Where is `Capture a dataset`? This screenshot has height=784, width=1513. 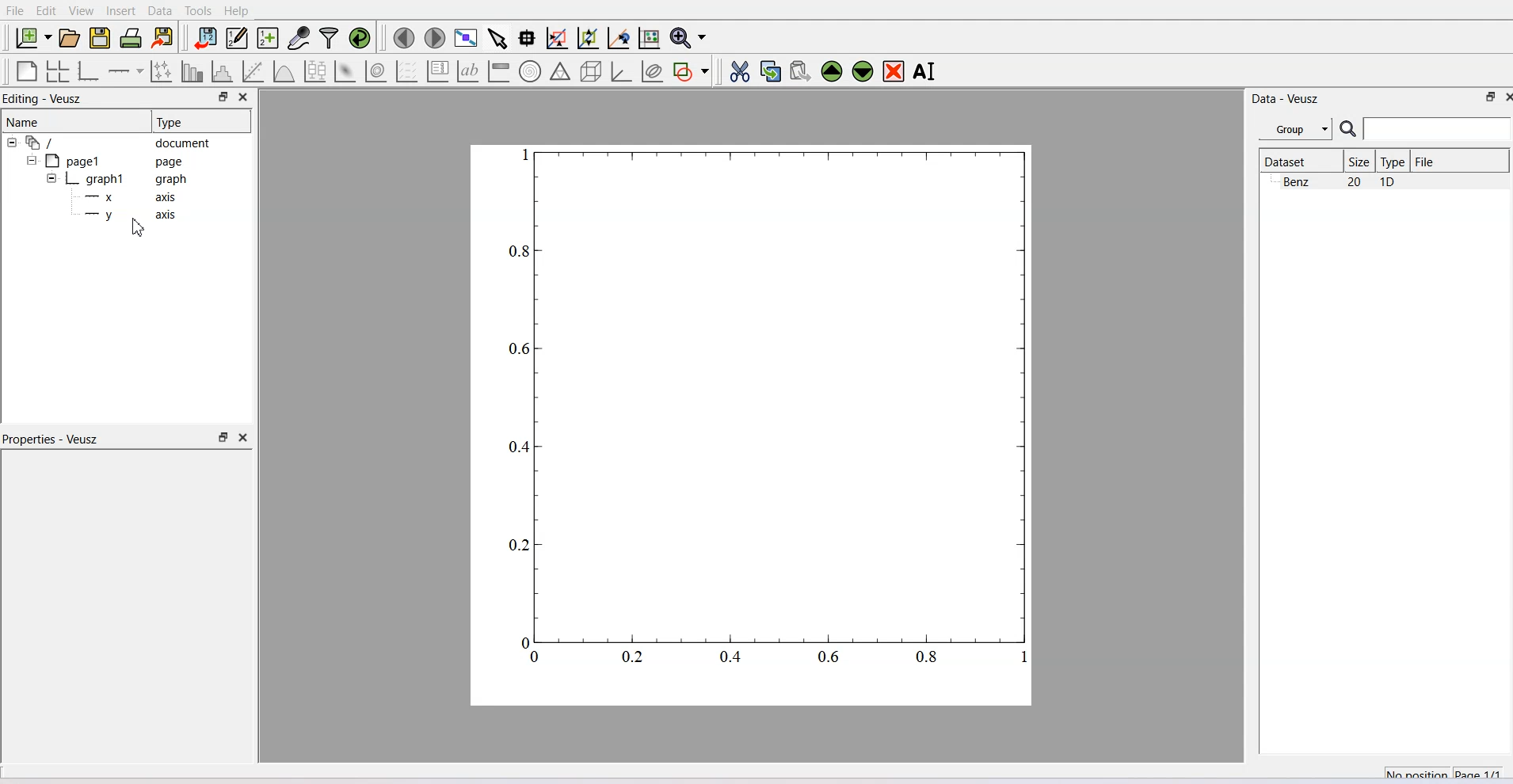 Capture a dataset is located at coordinates (299, 37).